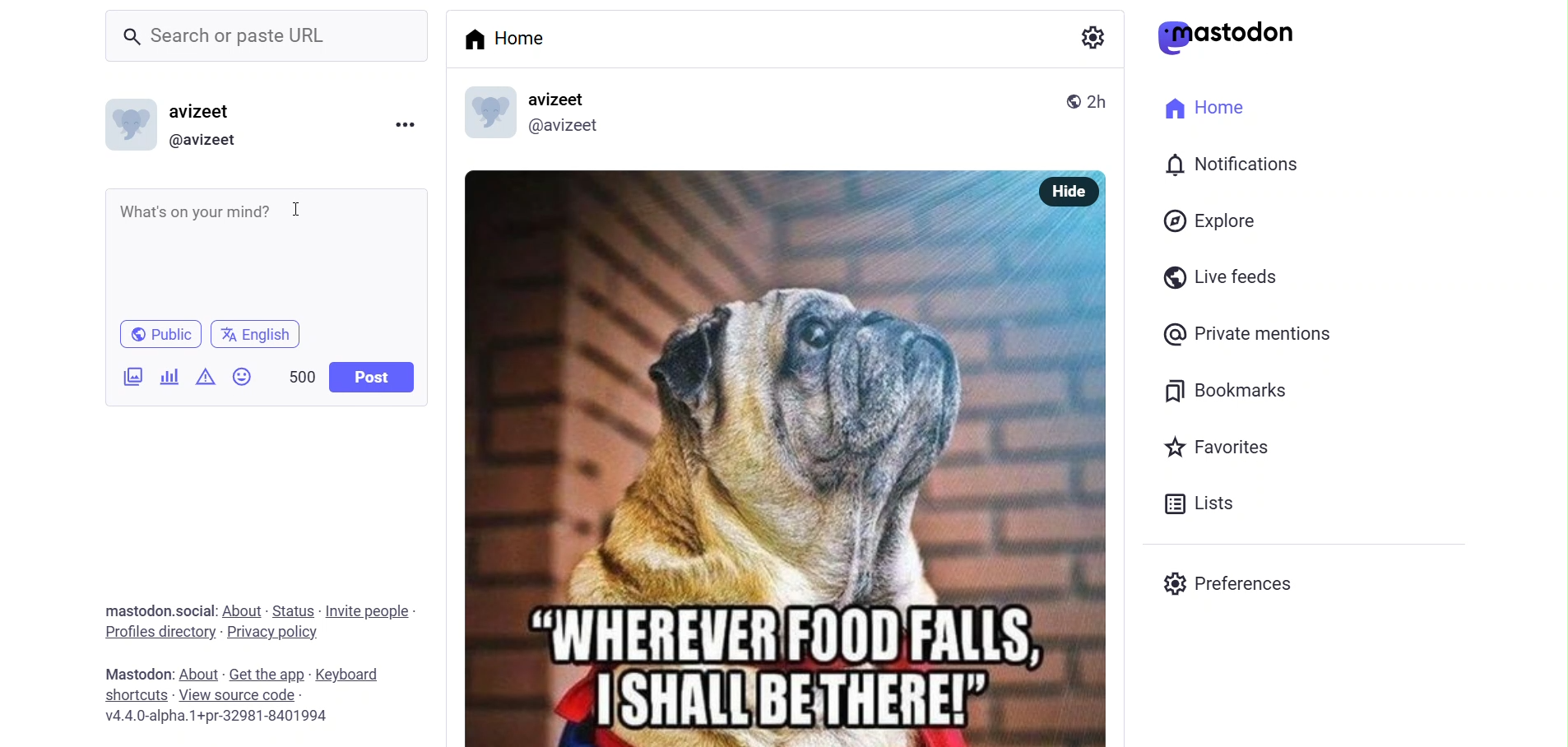 This screenshot has height=747, width=1568. I want to click on mastodon, so click(1225, 38).